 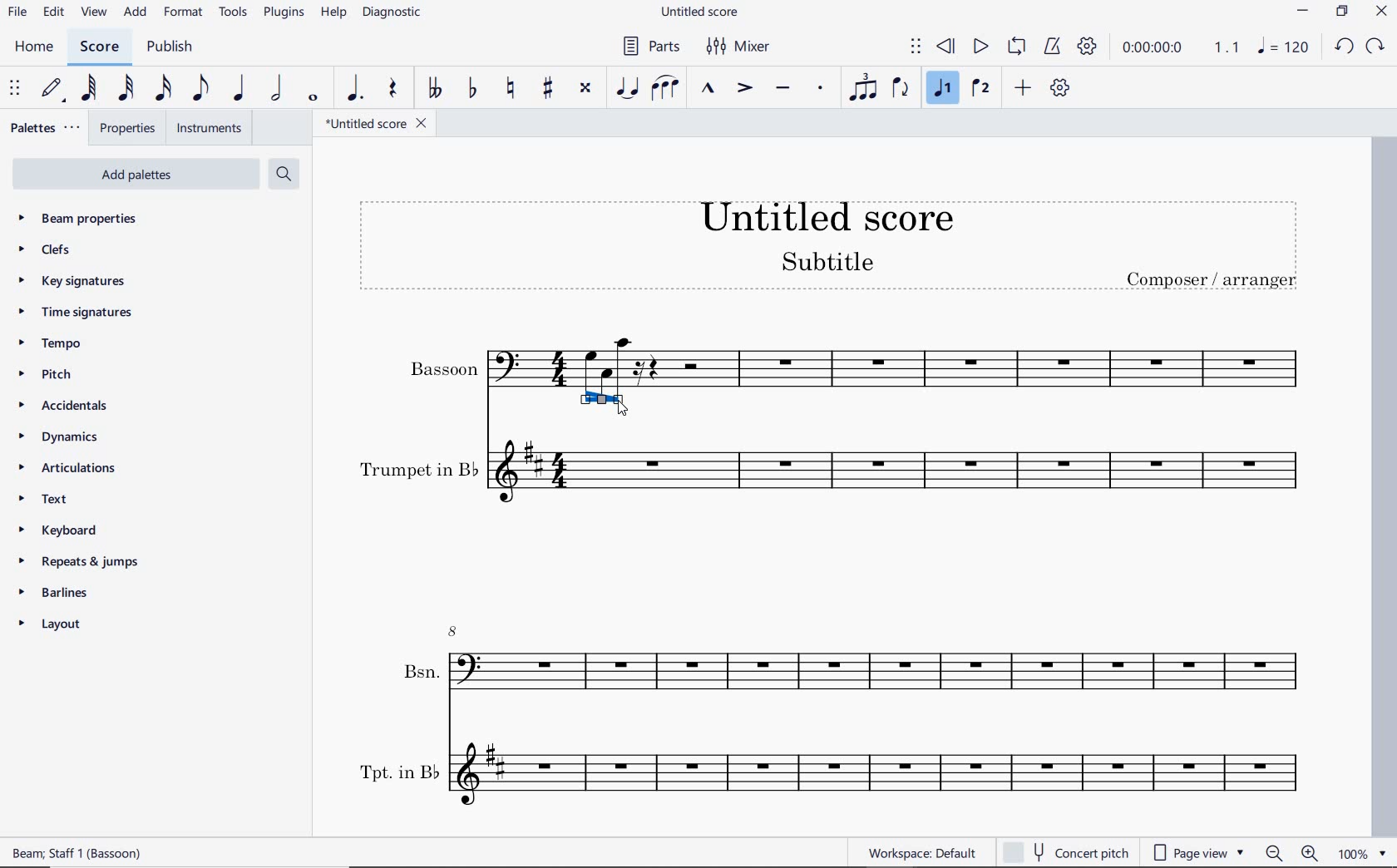 What do you see at coordinates (840, 483) in the screenshot?
I see `Trumpet in B` at bounding box center [840, 483].